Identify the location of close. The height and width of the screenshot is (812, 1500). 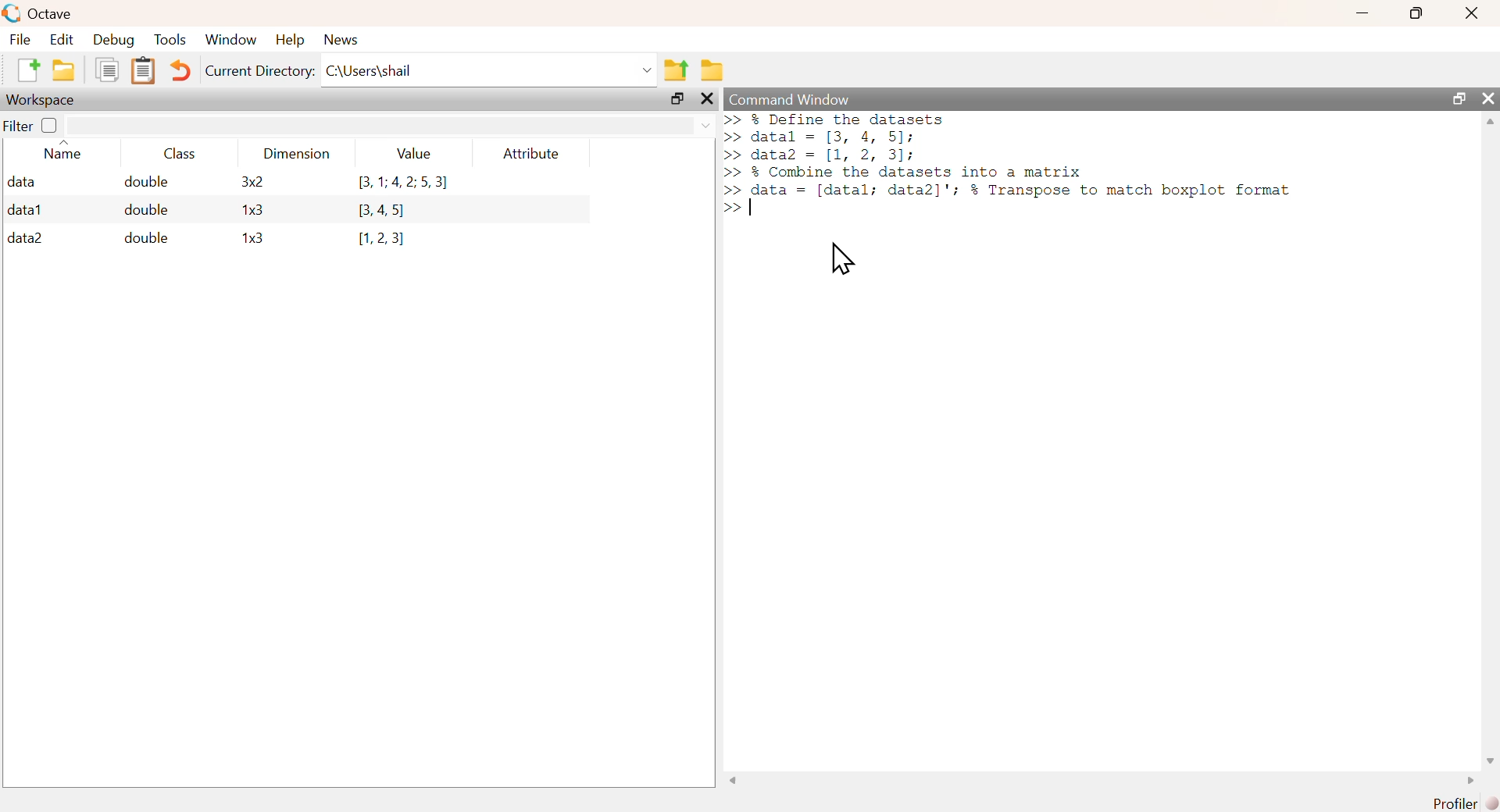
(706, 98).